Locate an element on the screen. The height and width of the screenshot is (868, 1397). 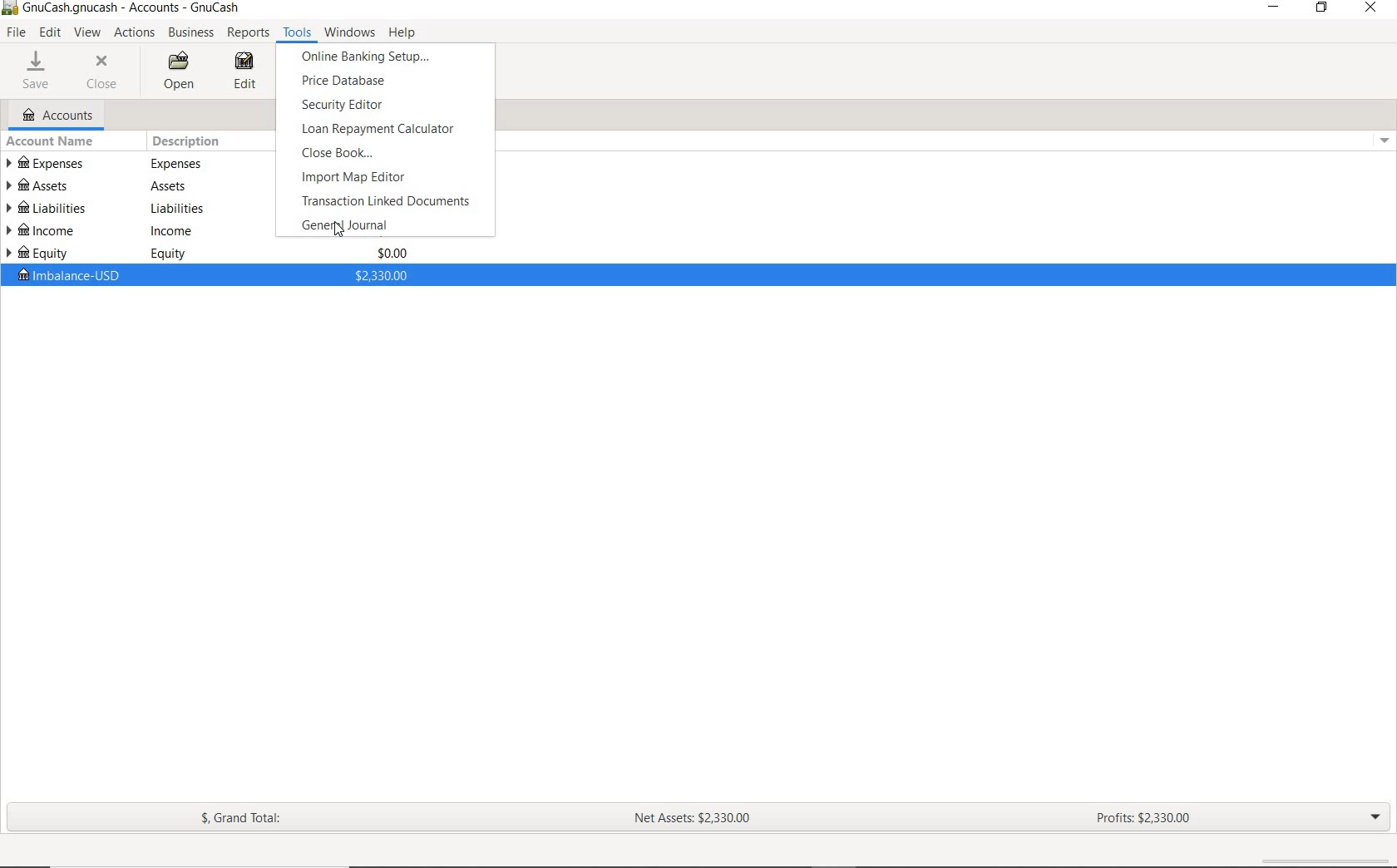
ONLINE BANKING SETUP is located at coordinates (384, 56).